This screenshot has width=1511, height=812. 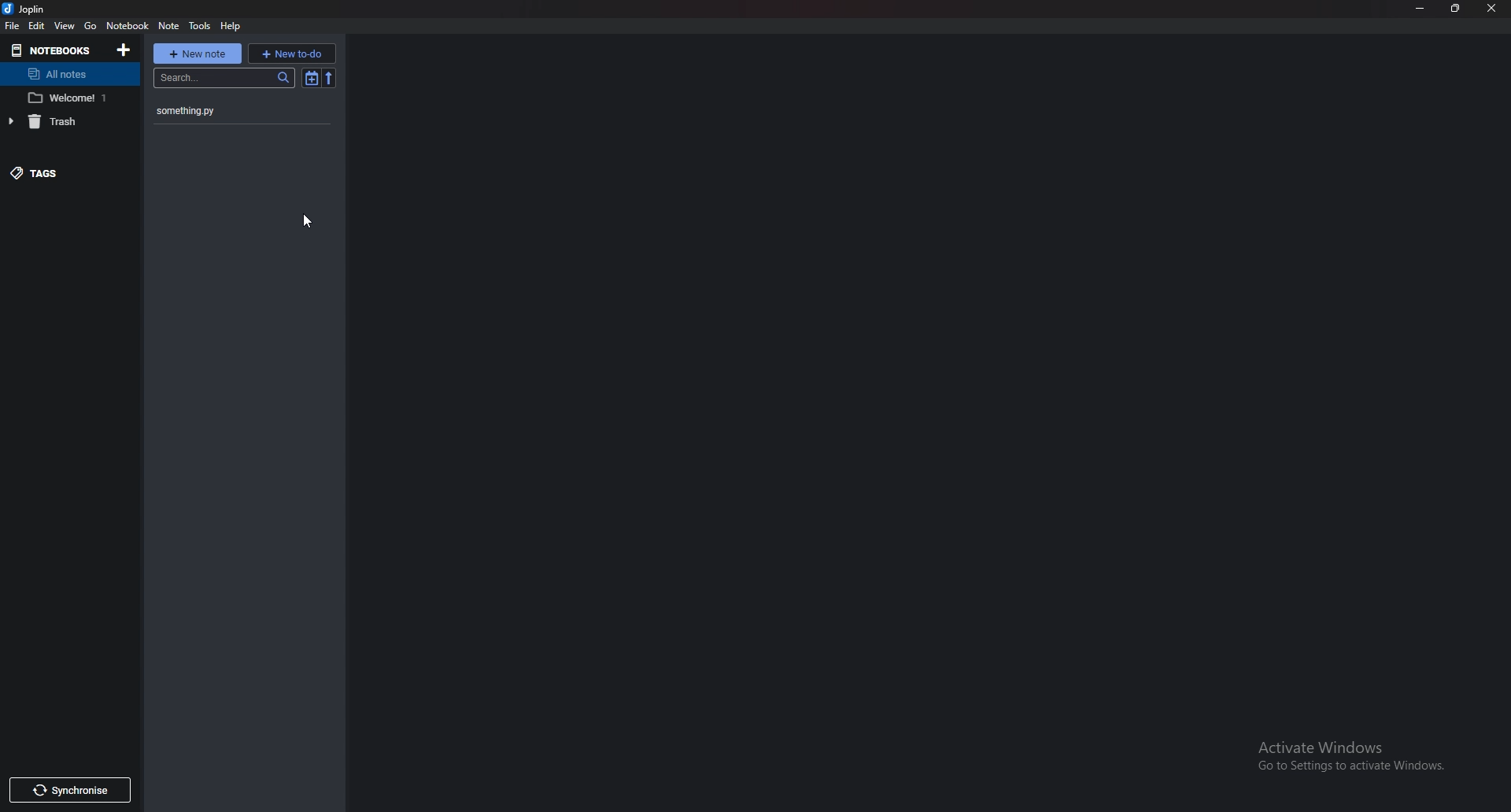 I want to click on new To do, so click(x=294, y=53).